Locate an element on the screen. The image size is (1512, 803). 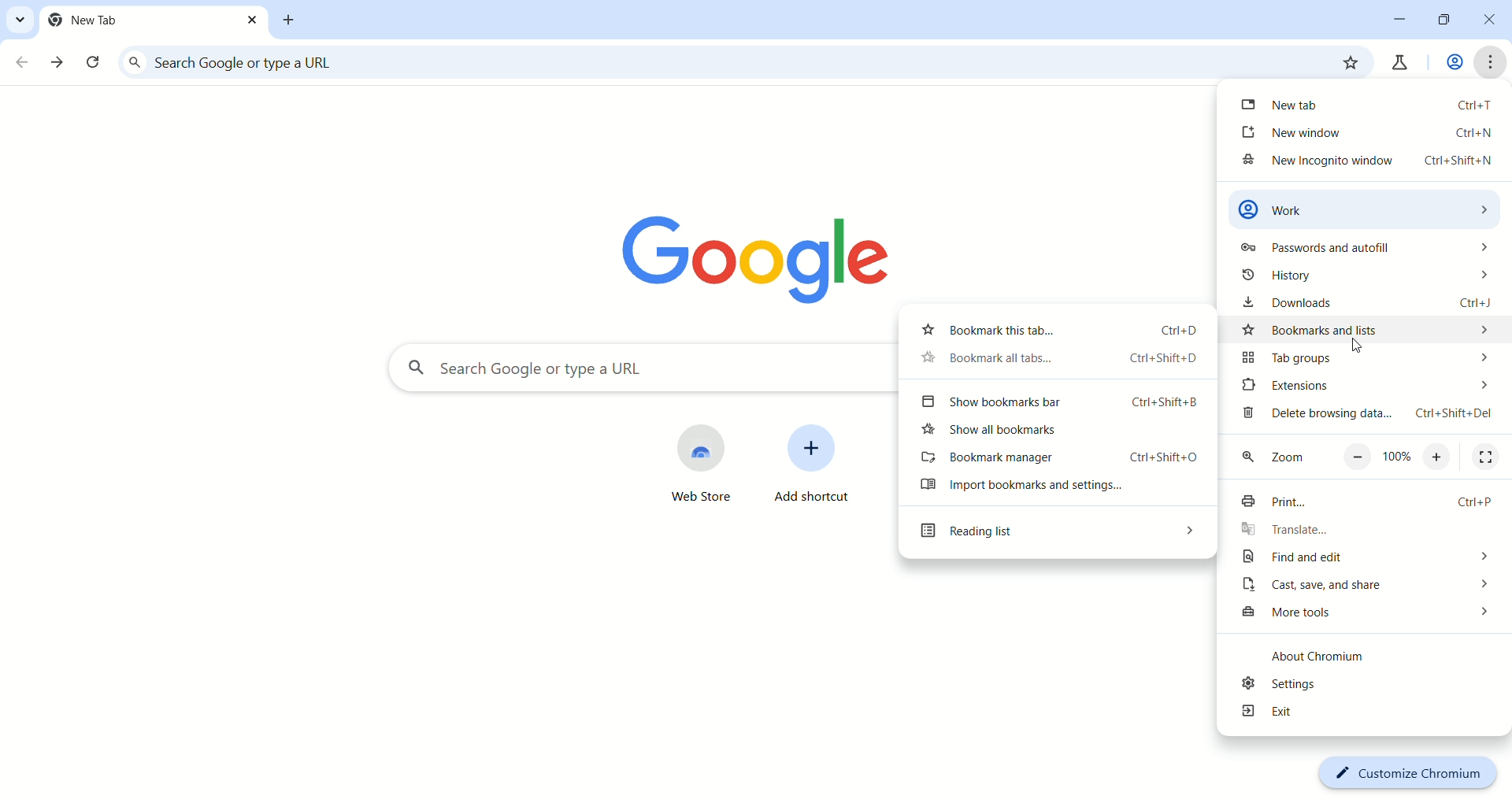
import bookmarks and settings is located at coordinates (1055, 490).